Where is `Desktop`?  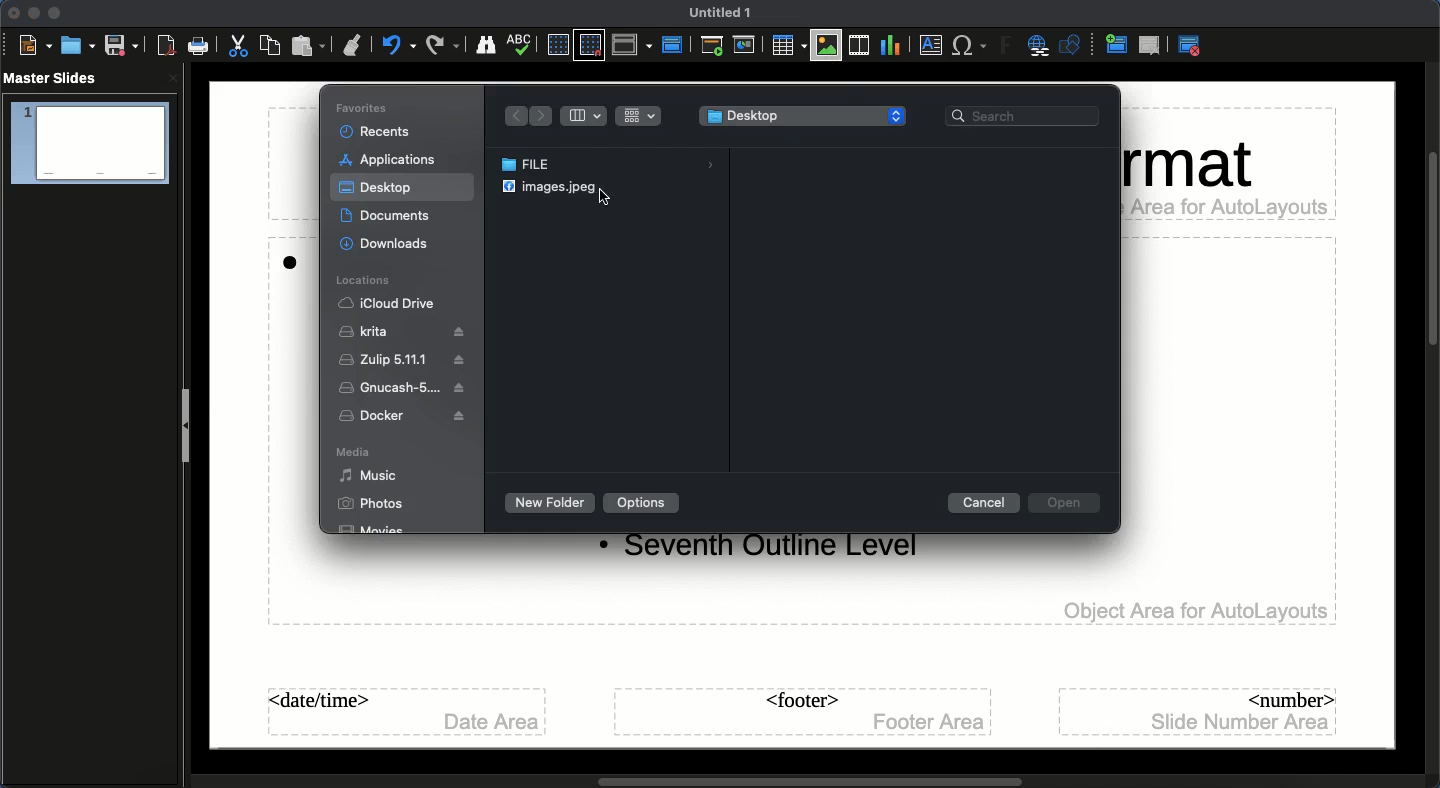 Desktop is located at coordinates (802, 115).